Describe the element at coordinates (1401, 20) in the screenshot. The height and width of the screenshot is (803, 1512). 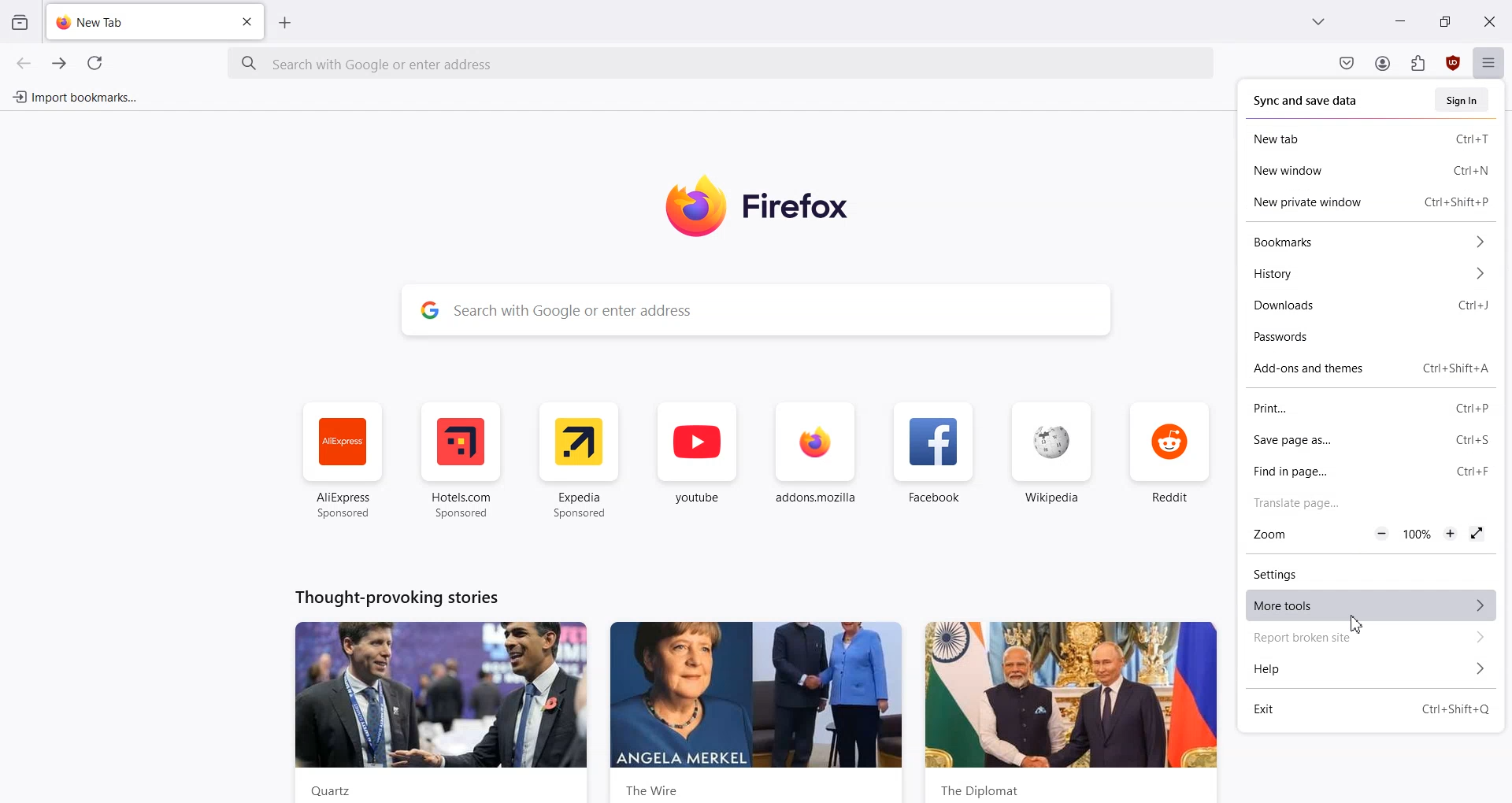
I see `Minimize` at that location.